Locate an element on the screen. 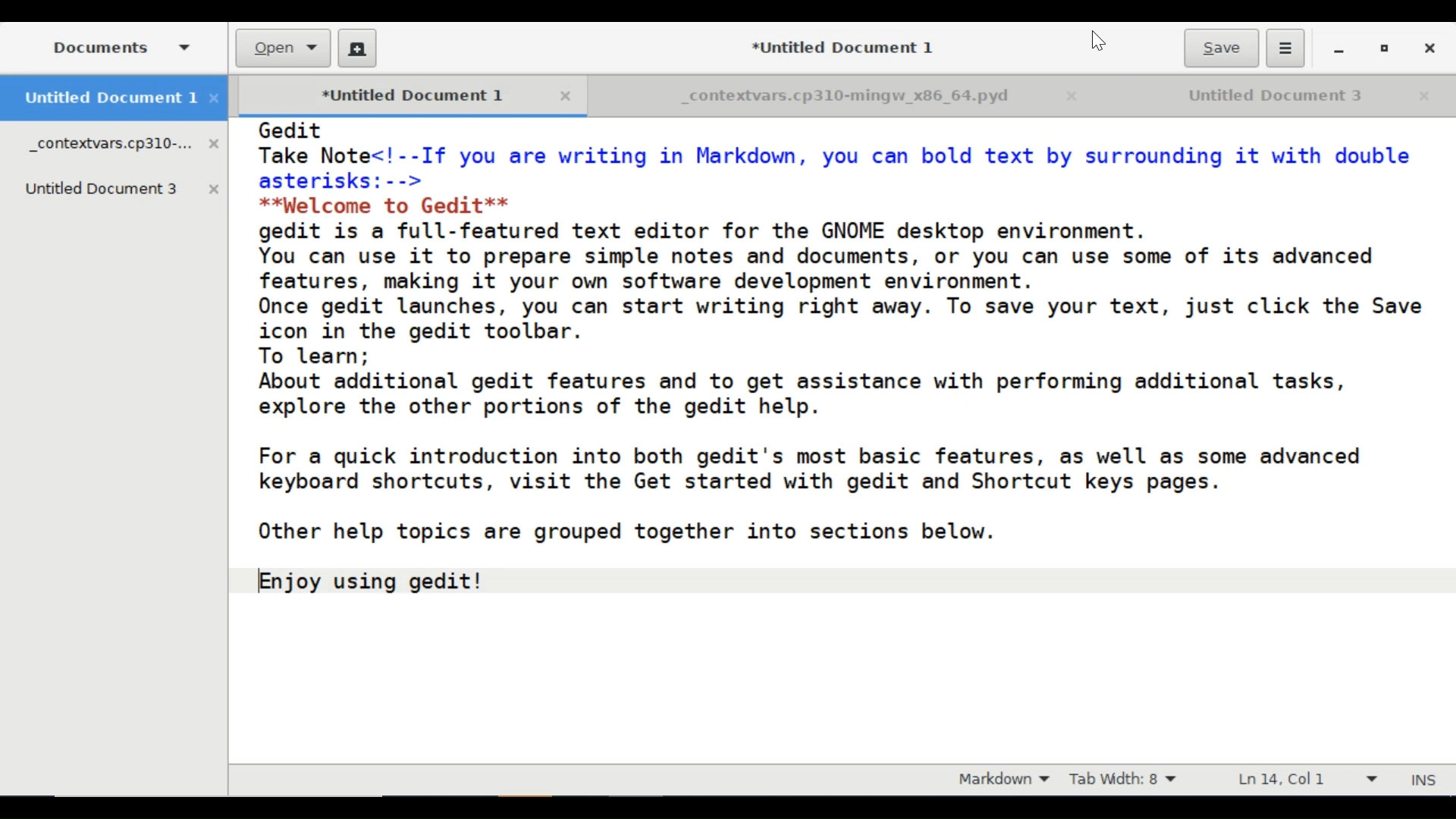 The height and width of the screenshot is (819, 1456). Side Pane is located at coordinates (118, 47).